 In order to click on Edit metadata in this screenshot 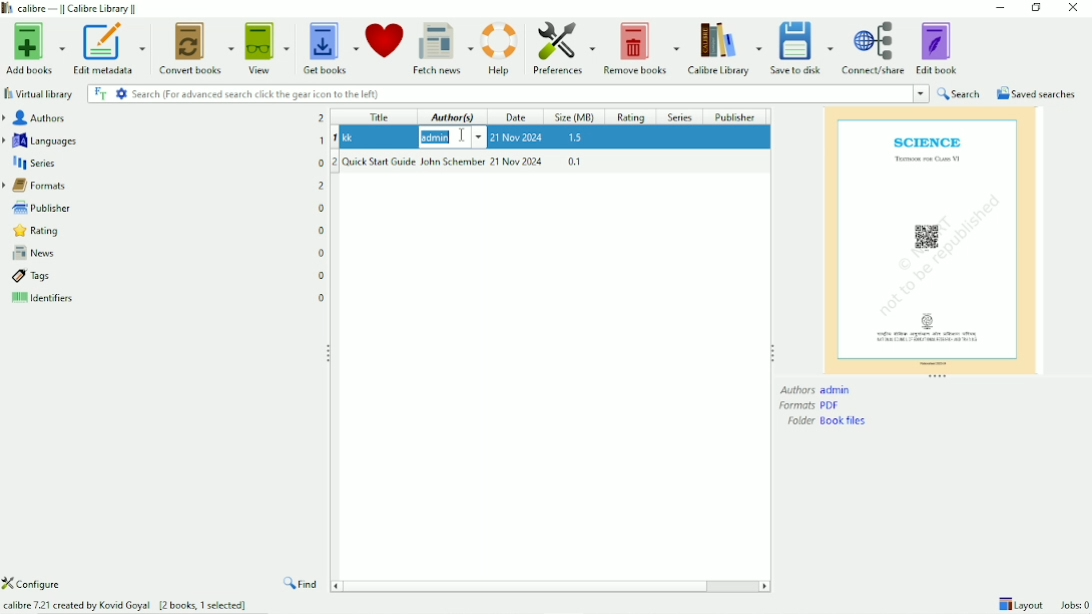, I will do `click(110, 49)`.